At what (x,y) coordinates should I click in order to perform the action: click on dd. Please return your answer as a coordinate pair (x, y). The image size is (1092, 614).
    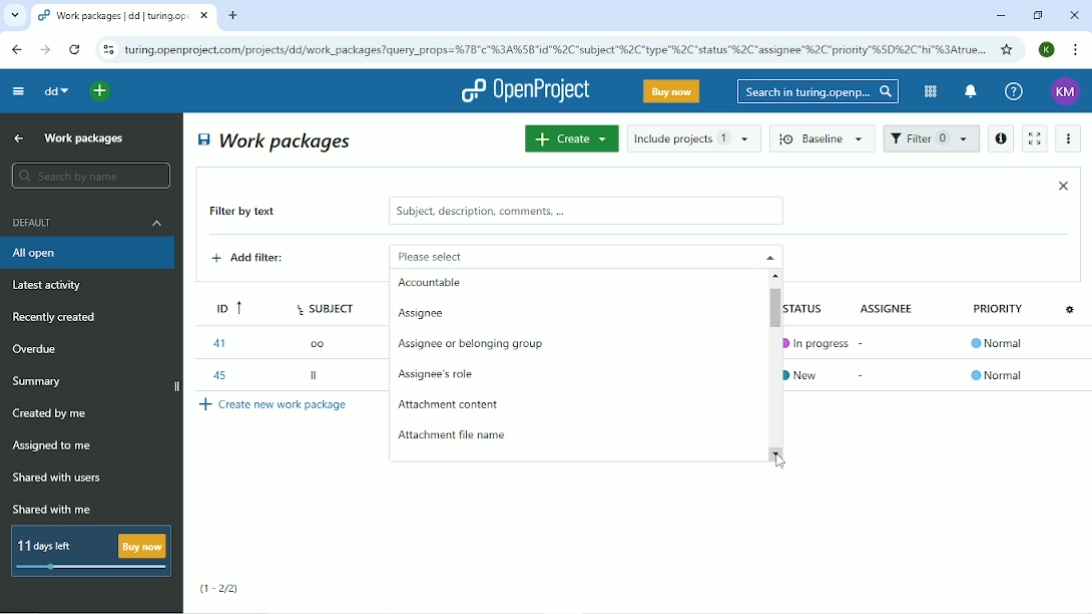
    Looking at the image, I should click on (55, 91).